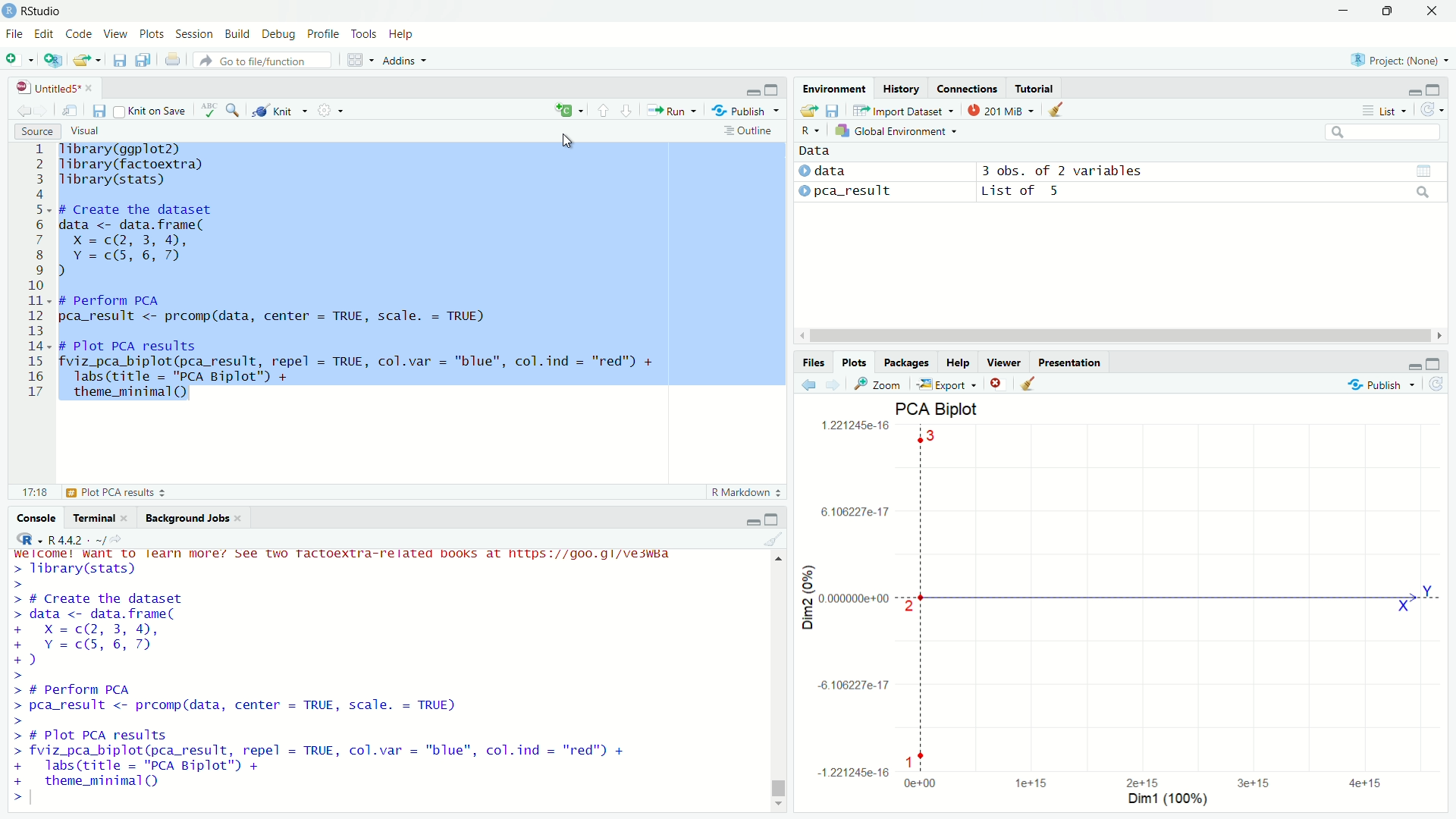  I want to click on clear all plots, so click(1029, 383).